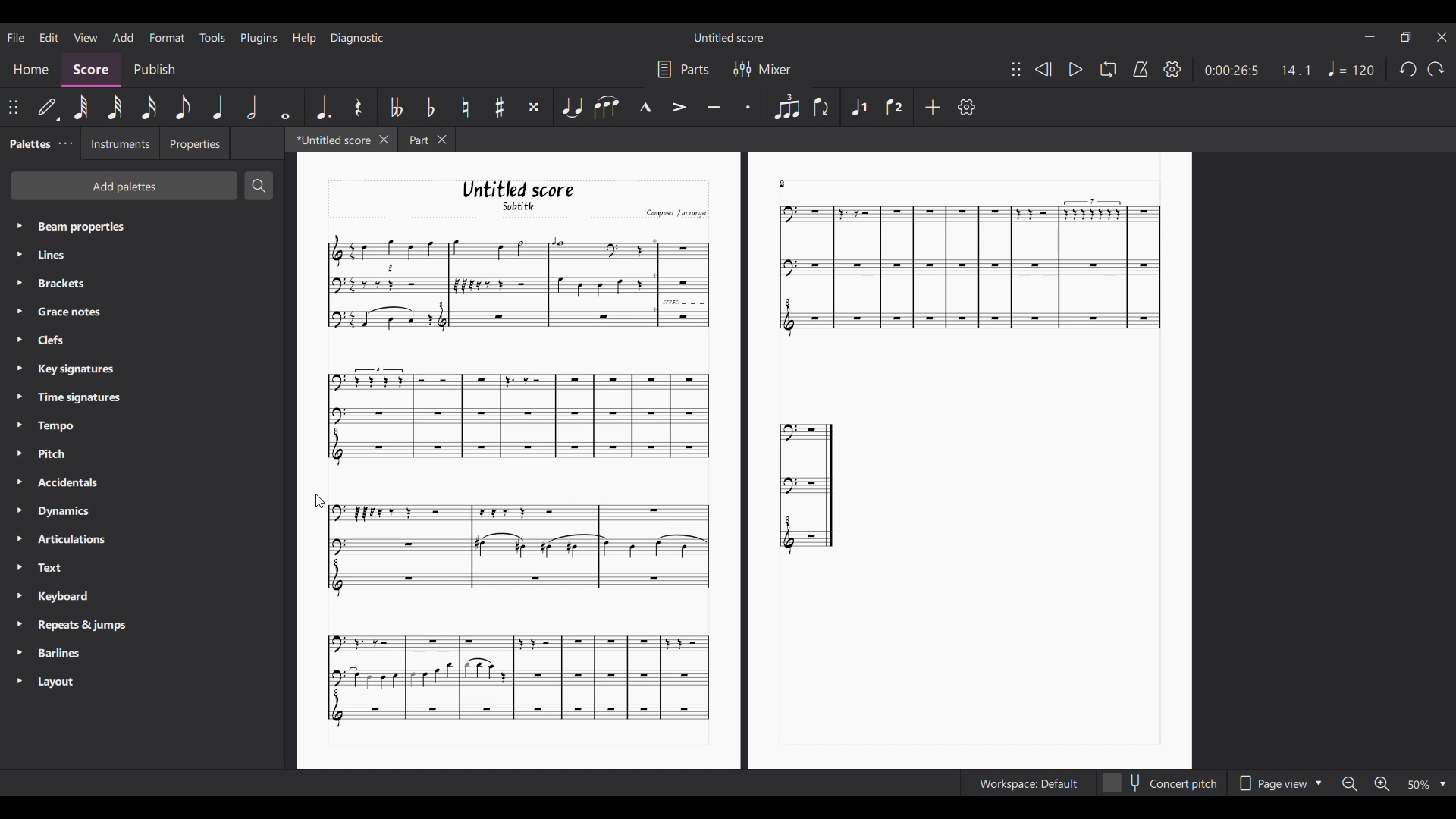 The width and height of the screenshot is (1456, 819). I want to click on Plugins menu, so click(259, 39).